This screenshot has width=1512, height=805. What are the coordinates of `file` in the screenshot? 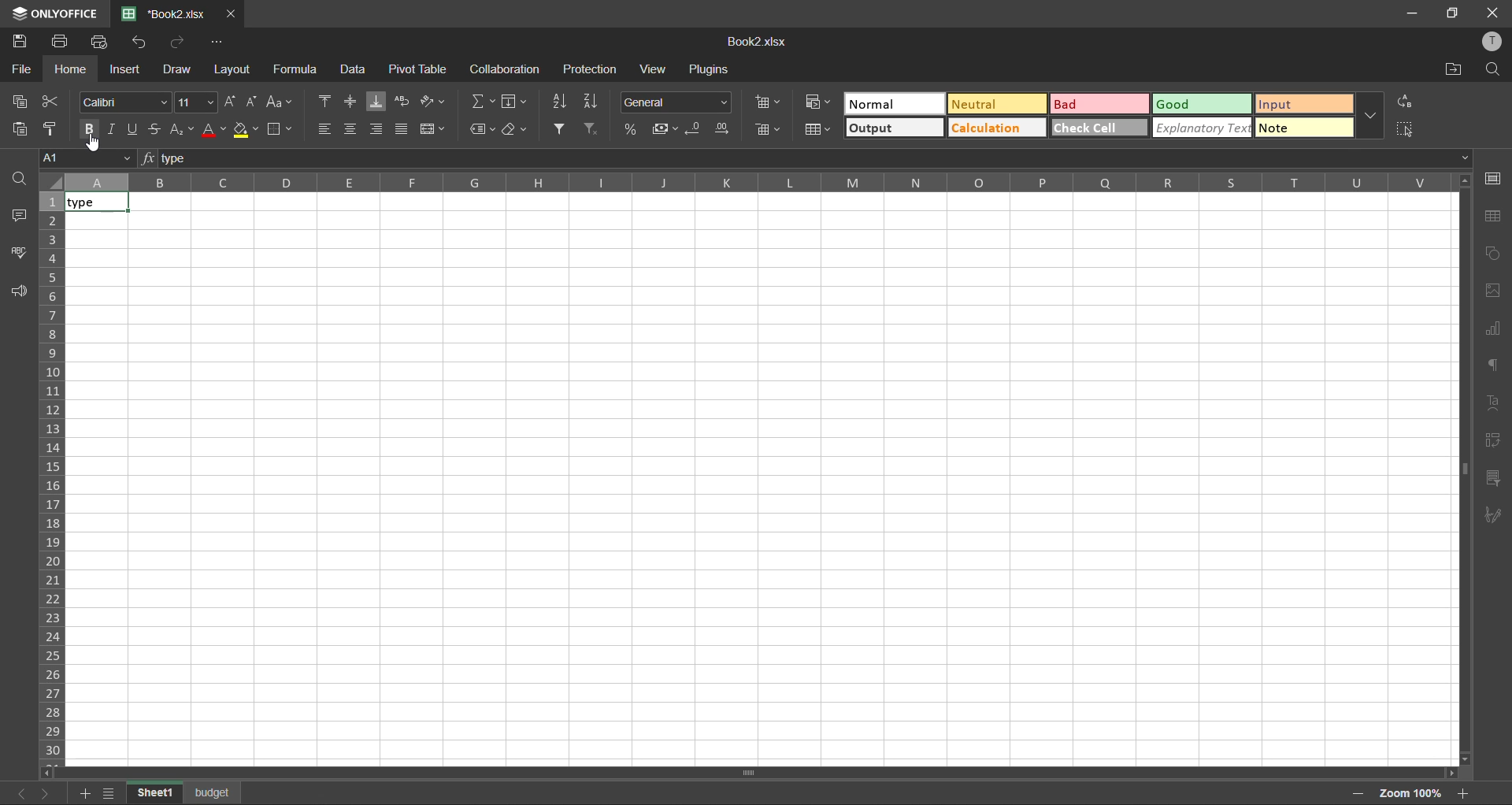 It's located at (22, 68).